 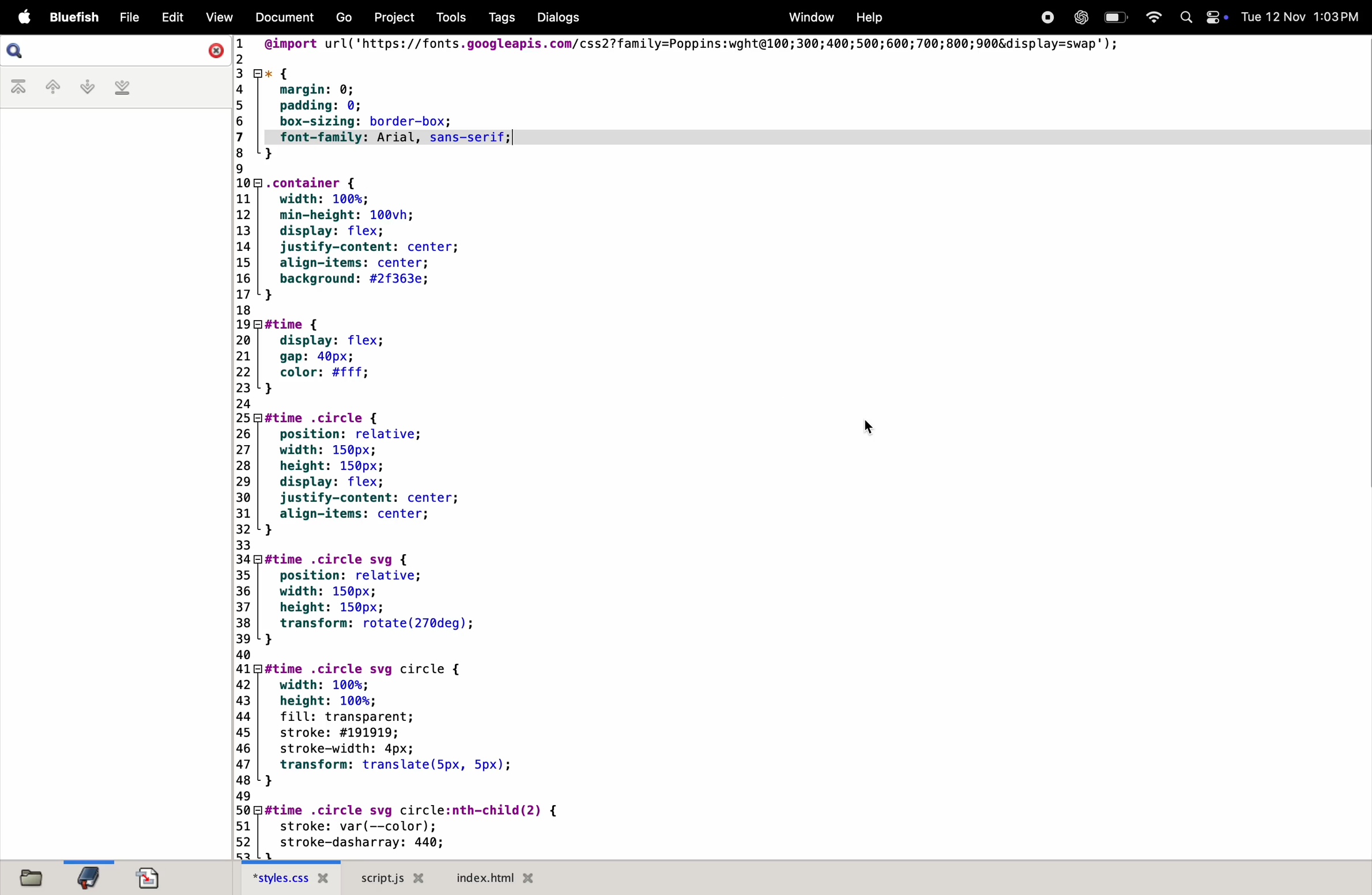 I want to click on go, so click(x=348, y=17).